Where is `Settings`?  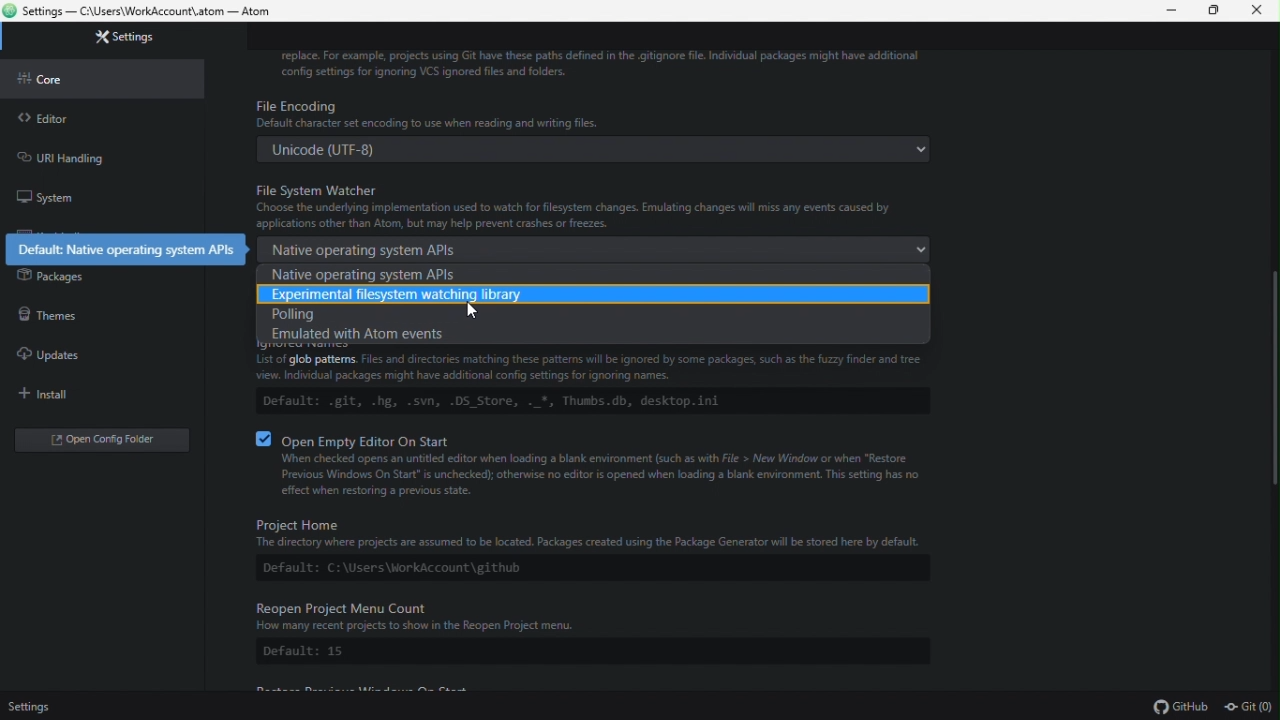 Settings is located at coordinates (119, 37).